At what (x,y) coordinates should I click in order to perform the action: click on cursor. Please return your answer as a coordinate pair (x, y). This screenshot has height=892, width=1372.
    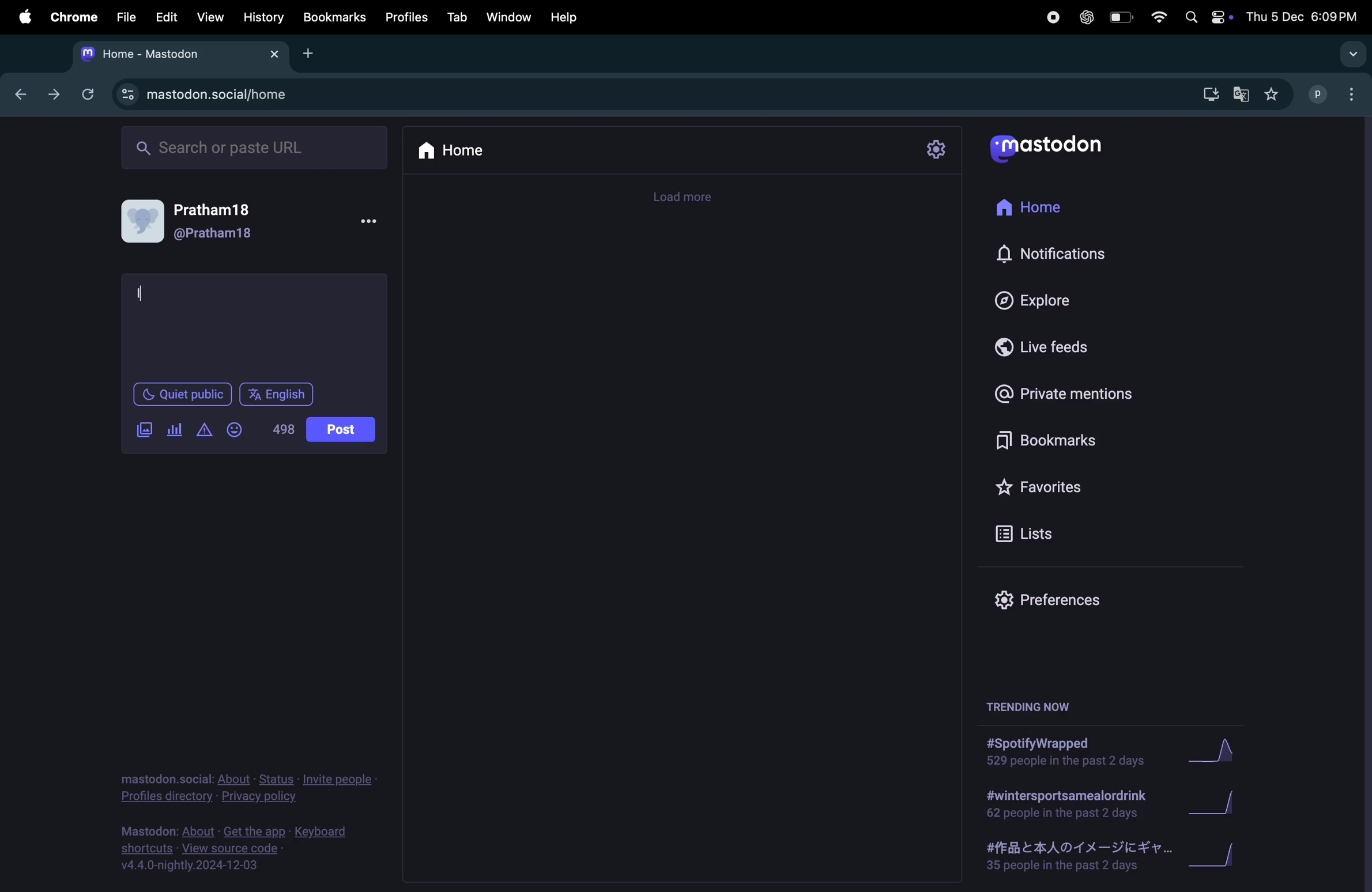
    Looking at the image, I should click on (142, 290).